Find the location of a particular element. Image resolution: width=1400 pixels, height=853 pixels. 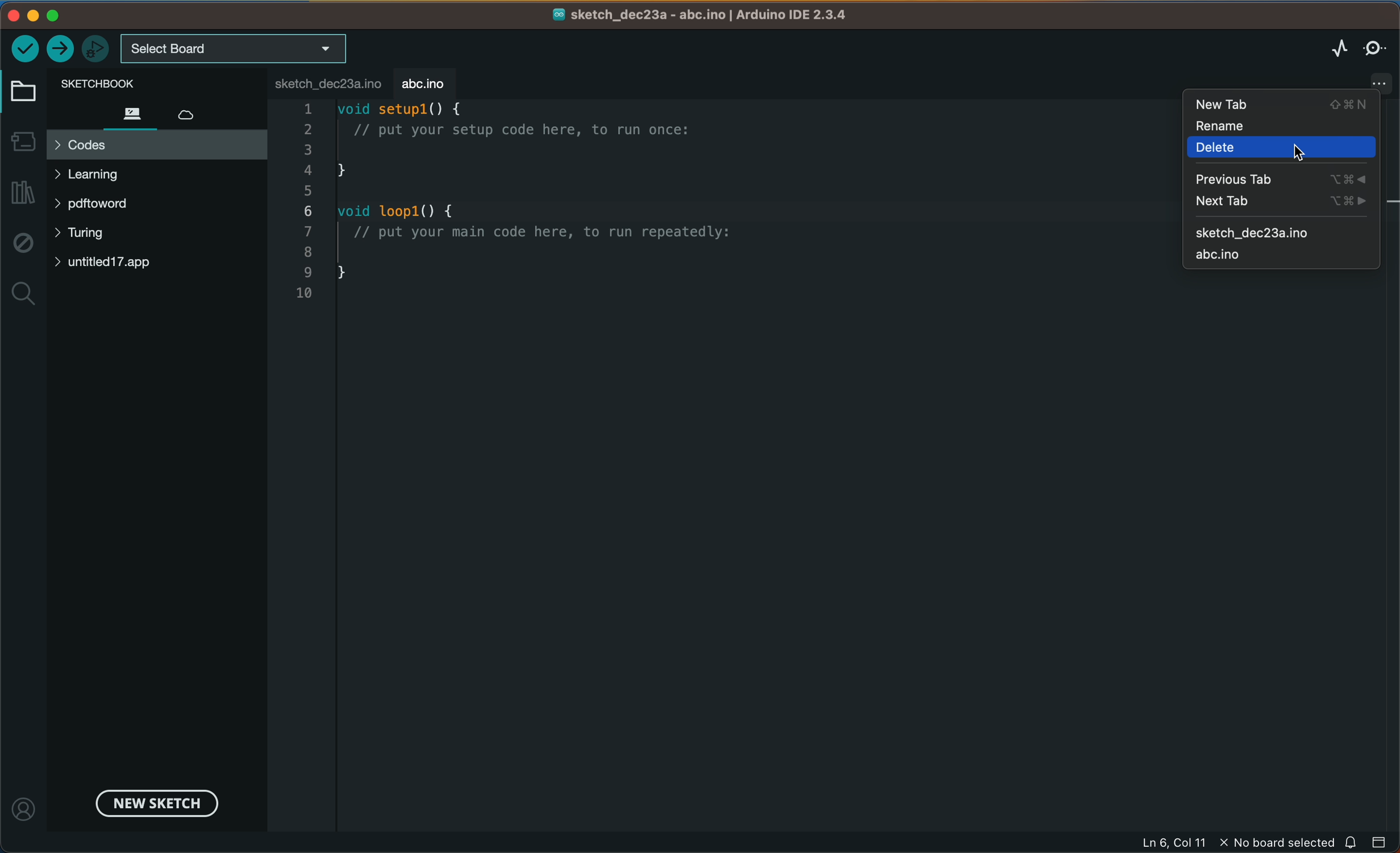

rename is located at coordinates (1282, 127).